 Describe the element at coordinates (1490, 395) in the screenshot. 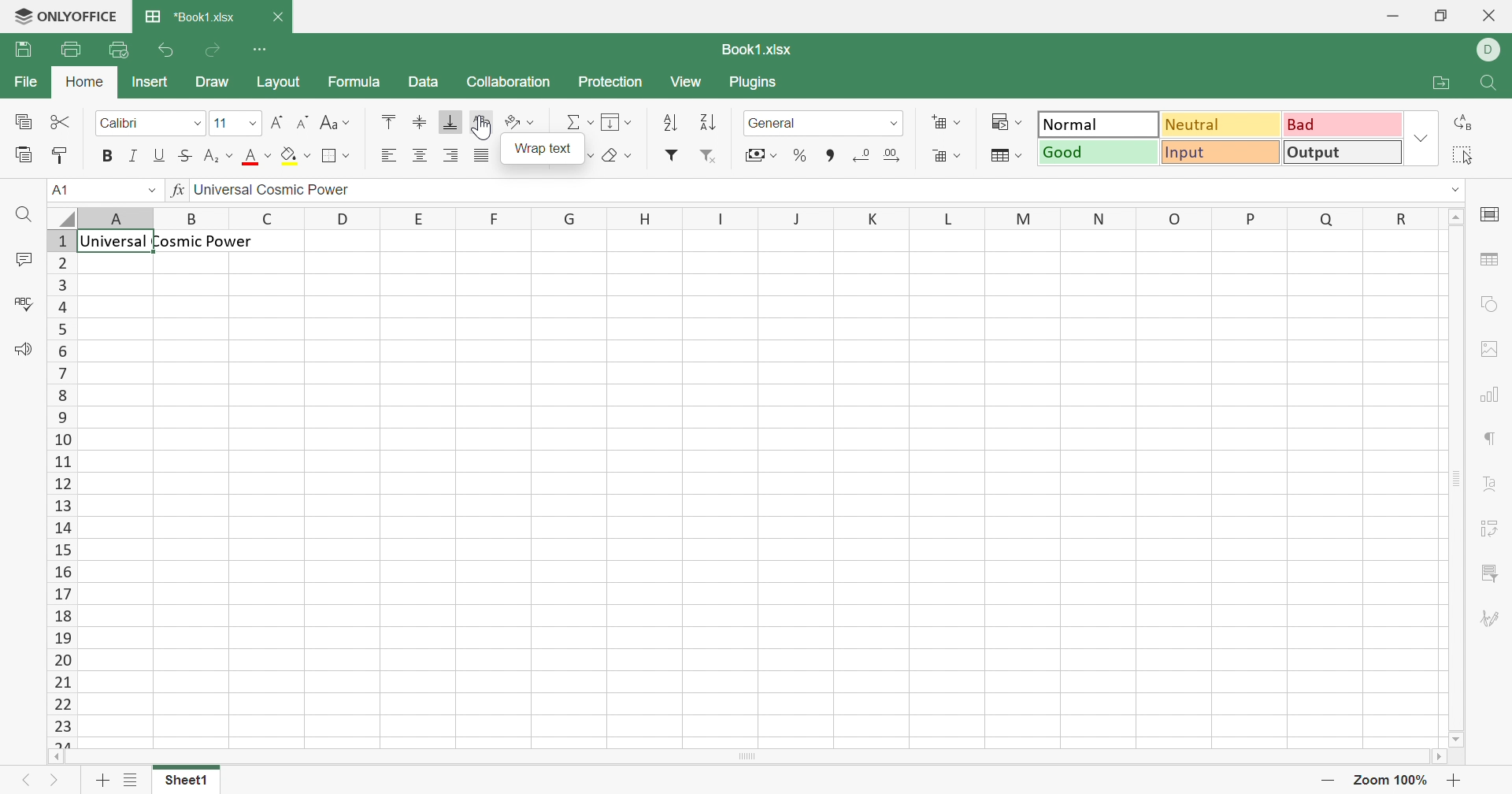

I see `chart settings` at that location.